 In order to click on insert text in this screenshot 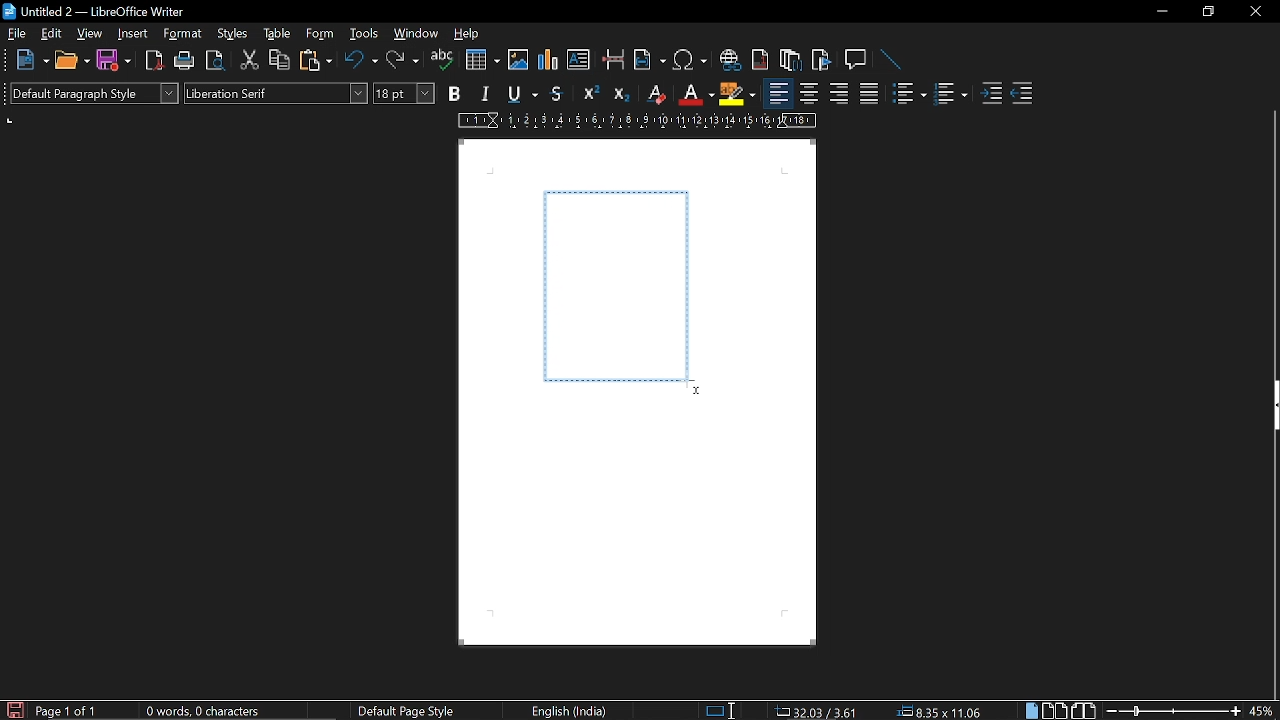, I will do `click(578, 60)`.